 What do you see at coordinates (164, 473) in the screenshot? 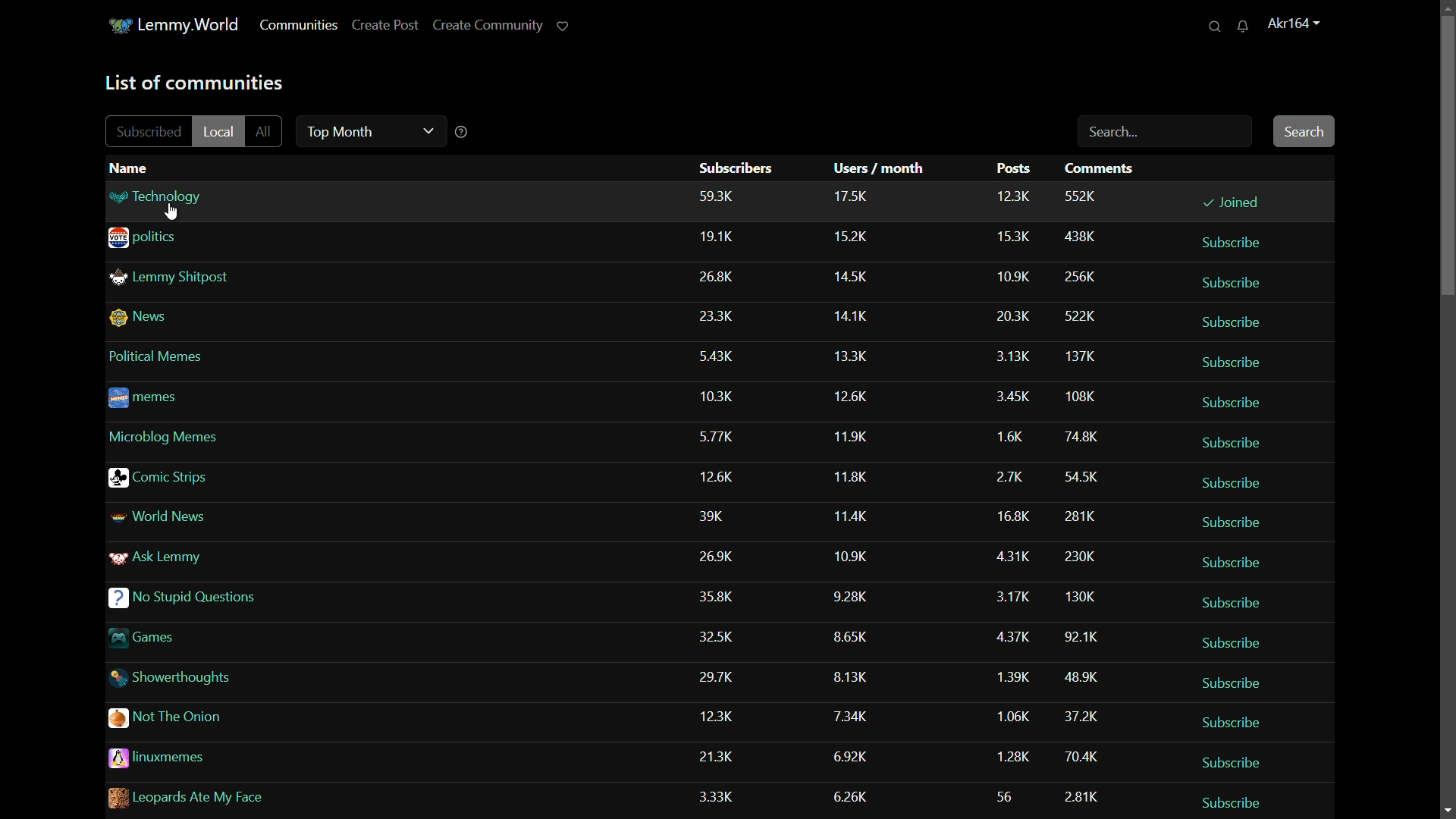
I see `communities name` at bounding box center [164, 473].